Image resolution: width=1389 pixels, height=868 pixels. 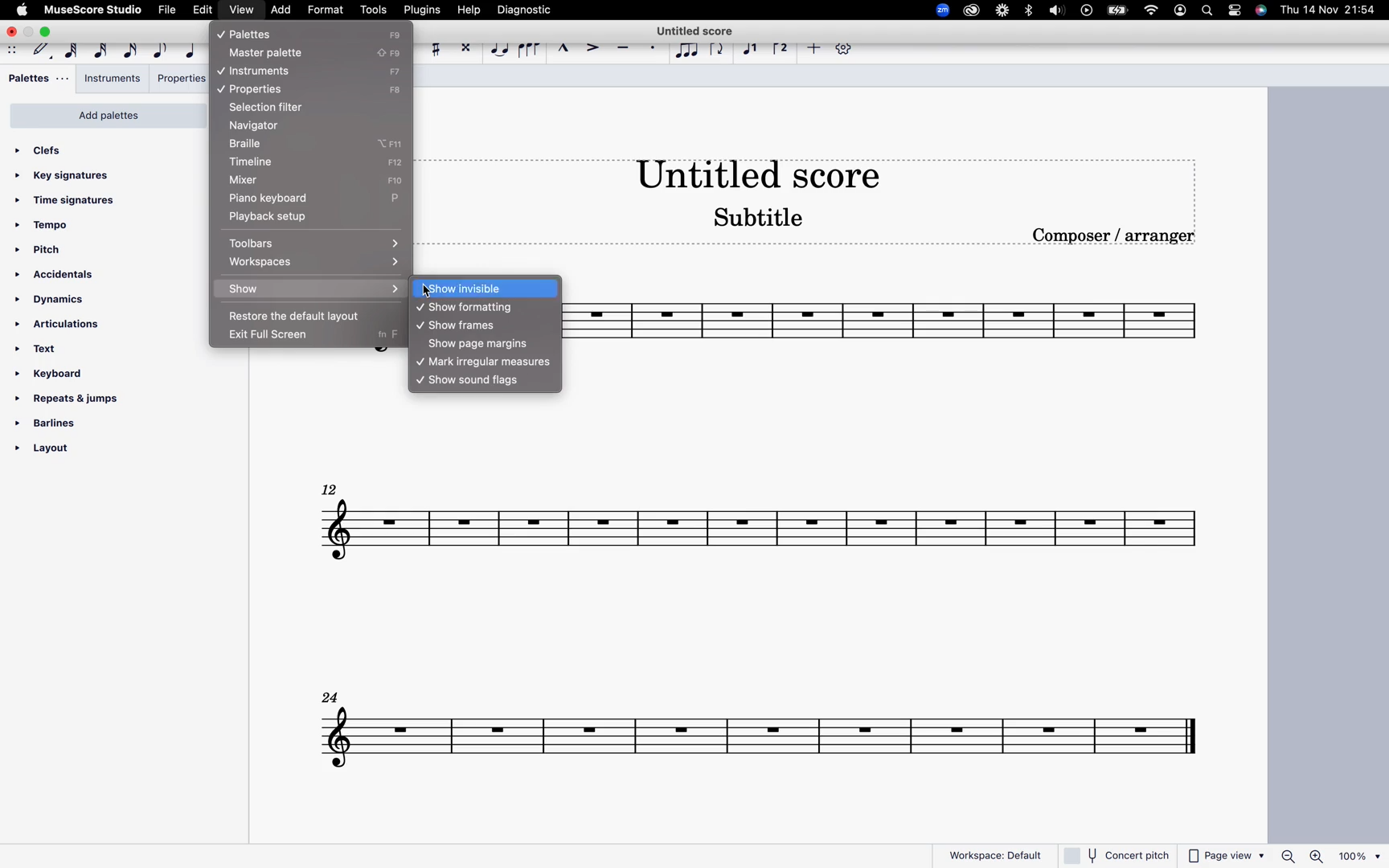 What do you see at coordinates (398, 201) in the screenshot?
I see `P` at bounding box center [398, 201].